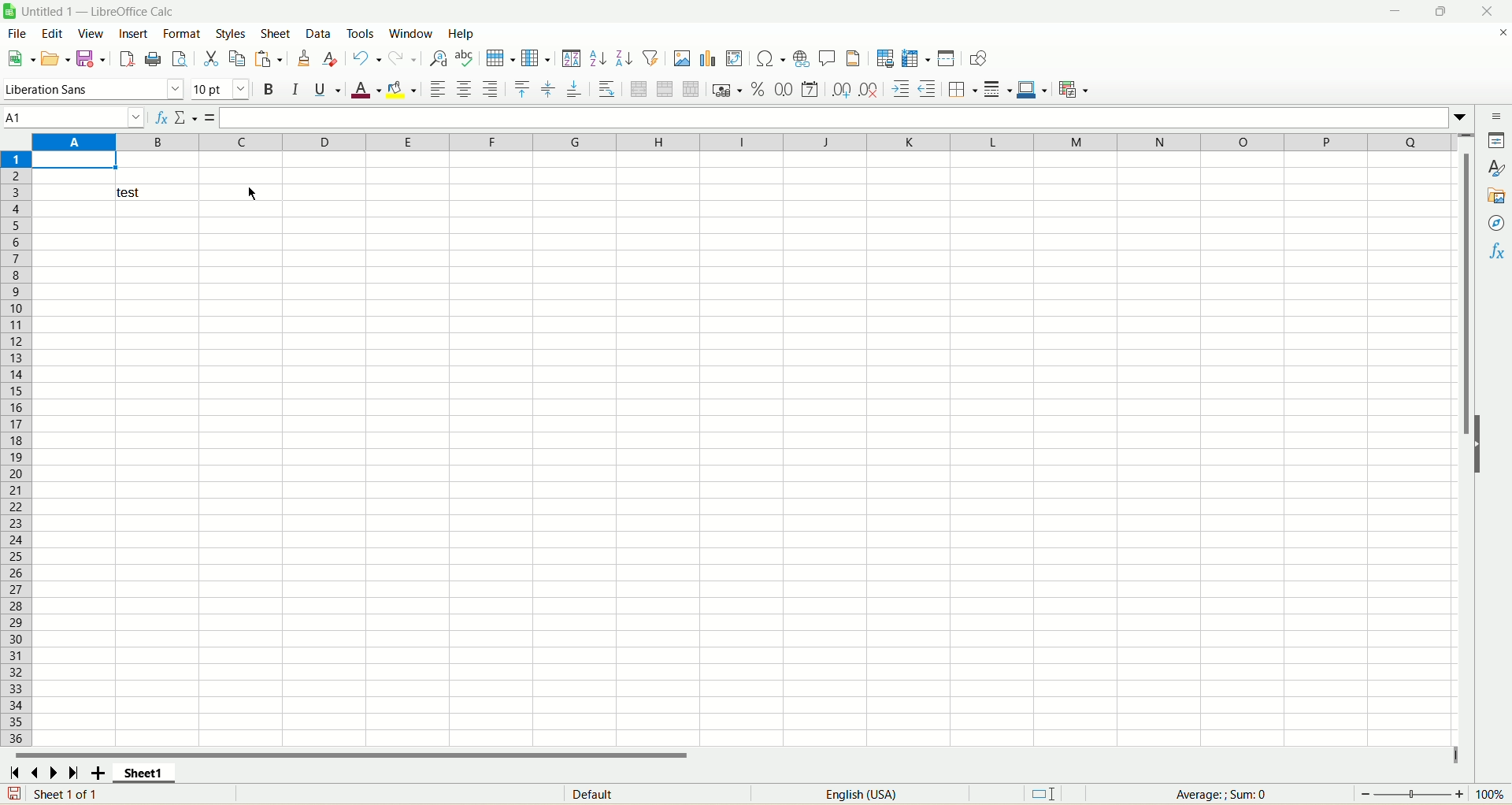 The width and height of the screenshot is (1512, 805). I want to click on font color, so click(365, 89).